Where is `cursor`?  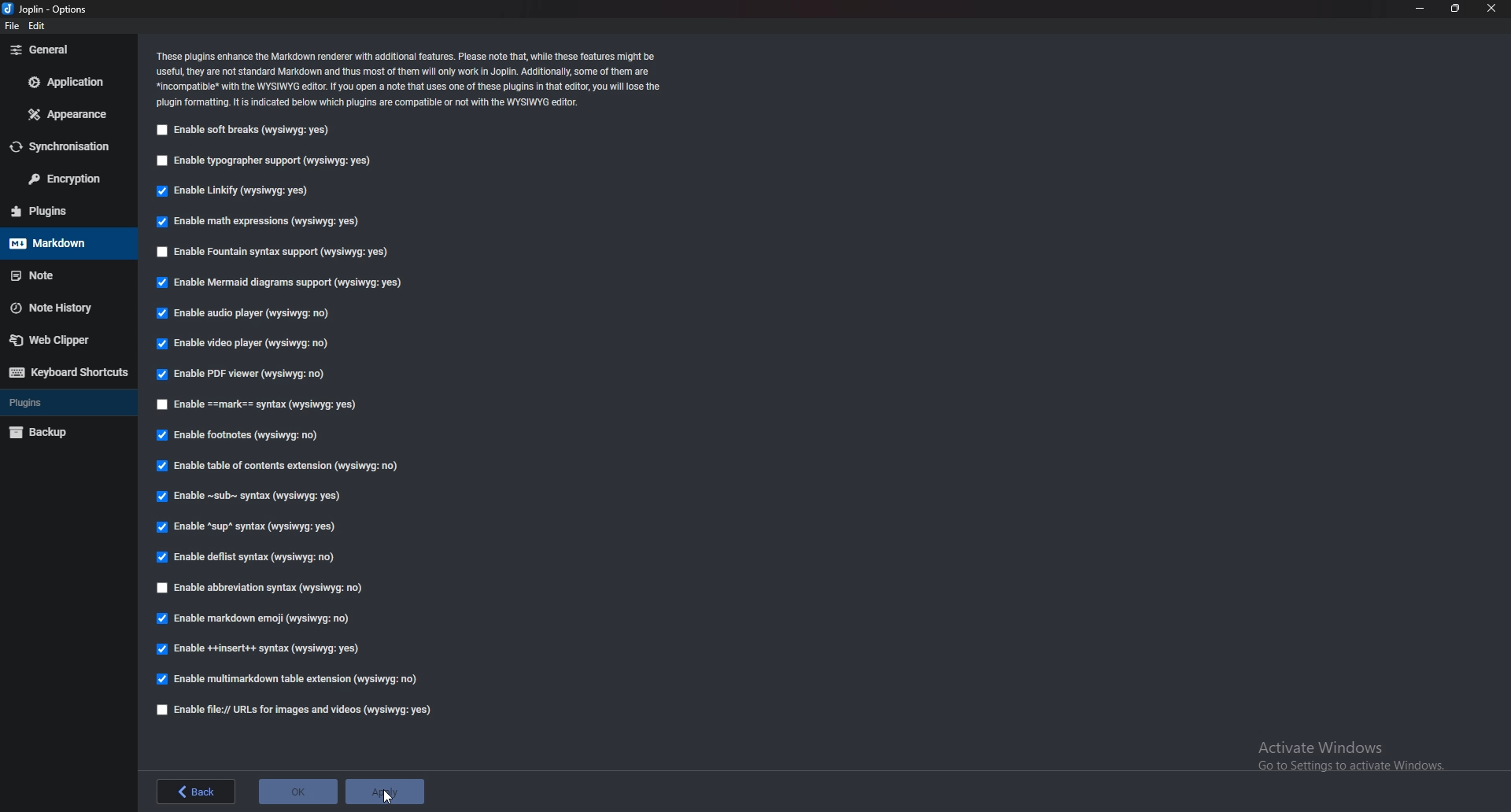 cursor is located at coordinates (390, 795).